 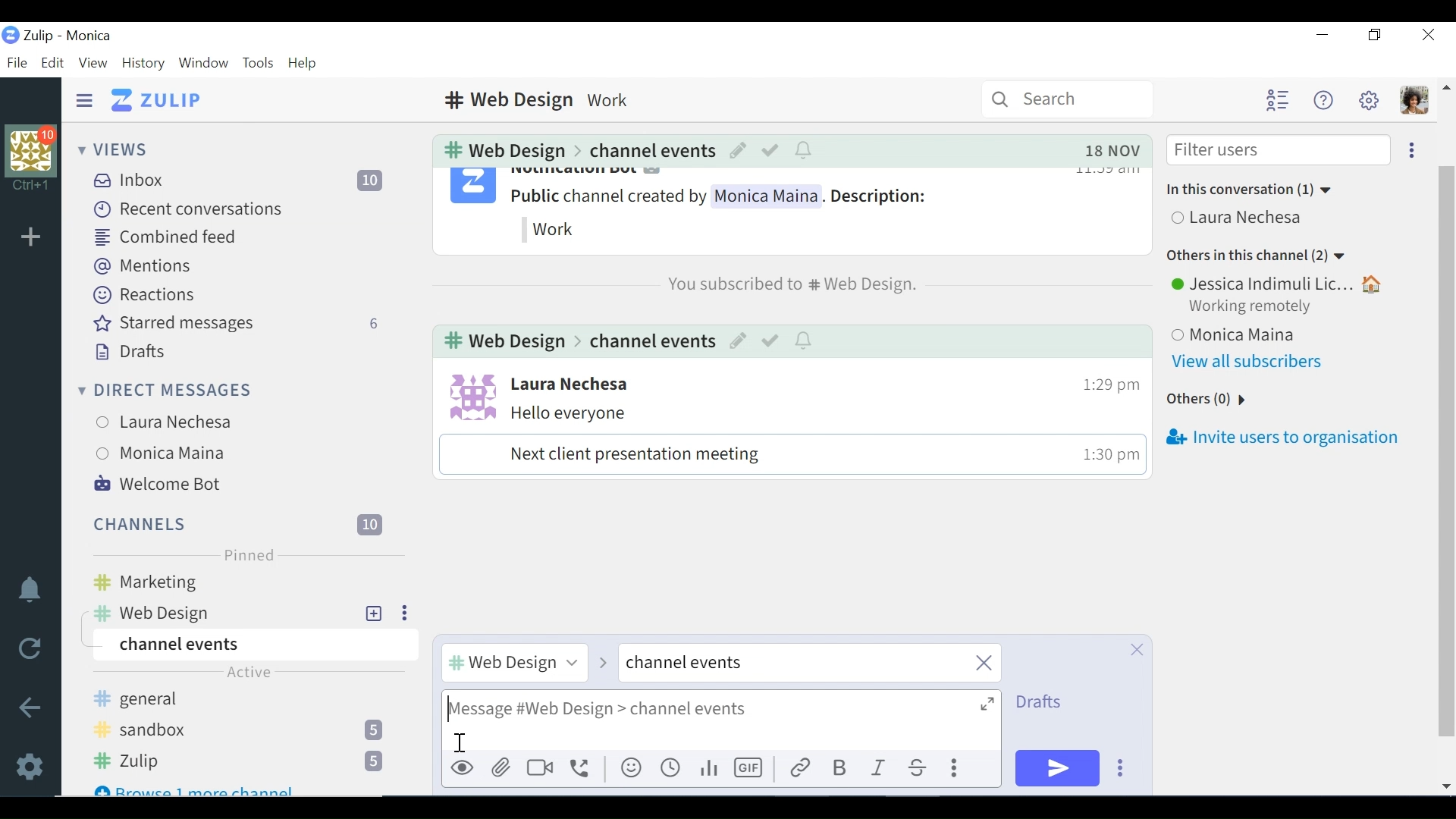 I want to click on Minimize, so click(x=1322, y=36).